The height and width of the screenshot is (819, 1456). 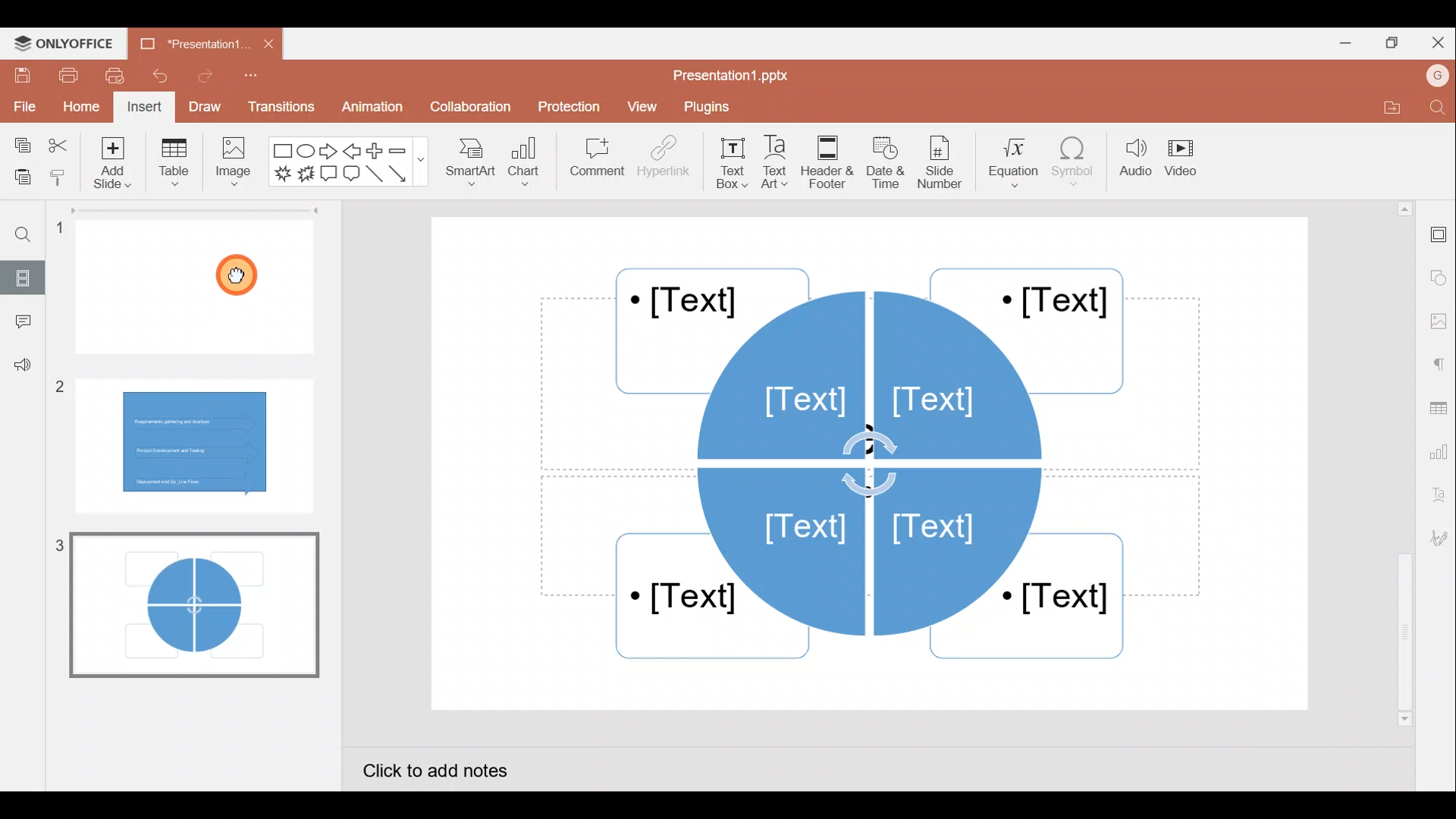 What do you see at coordinates (375, 149) in the screenshot?
I see `Plus` at bounding box center [375, 149].